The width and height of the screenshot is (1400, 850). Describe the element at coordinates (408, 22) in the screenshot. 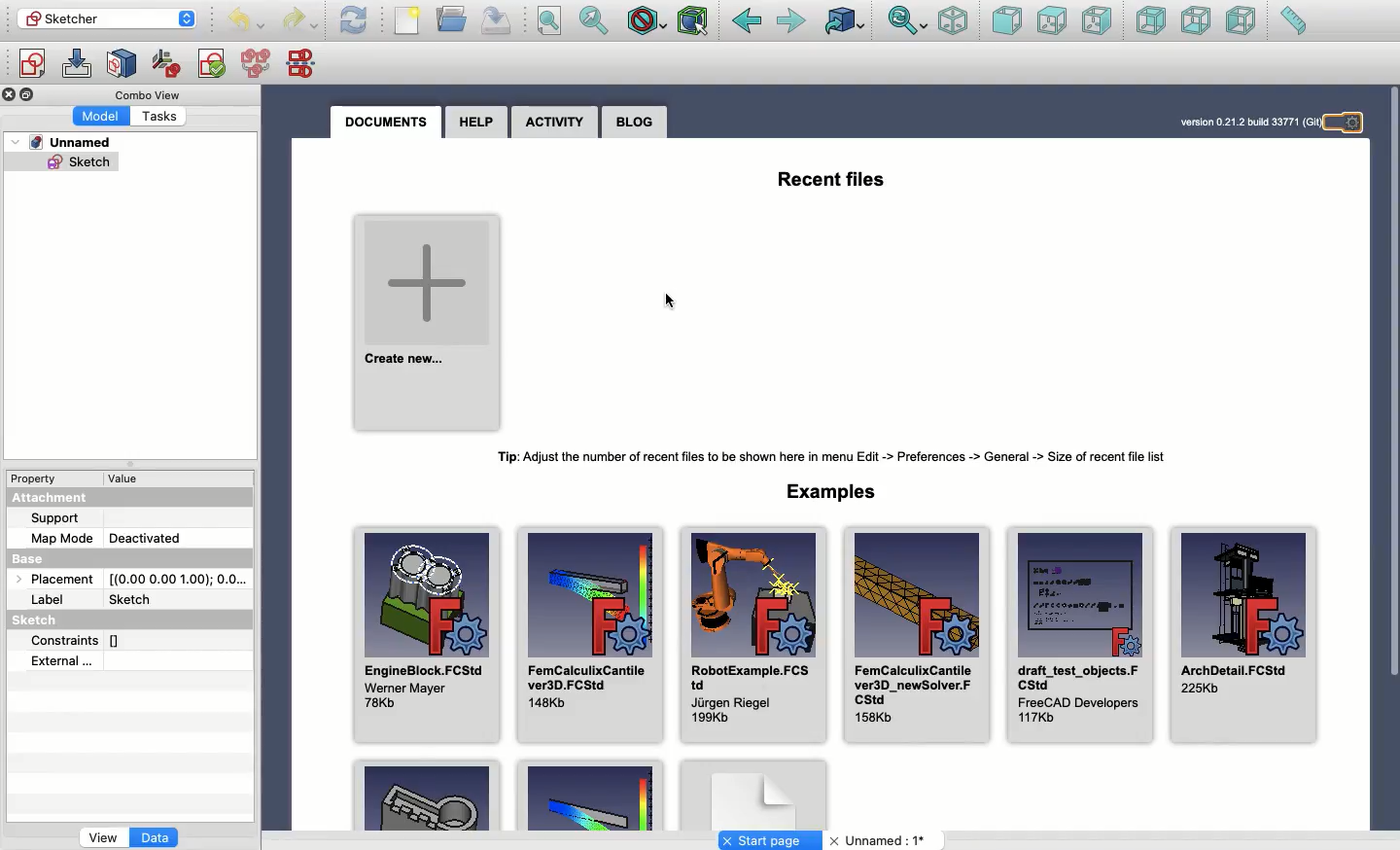

I see `File` at that location.